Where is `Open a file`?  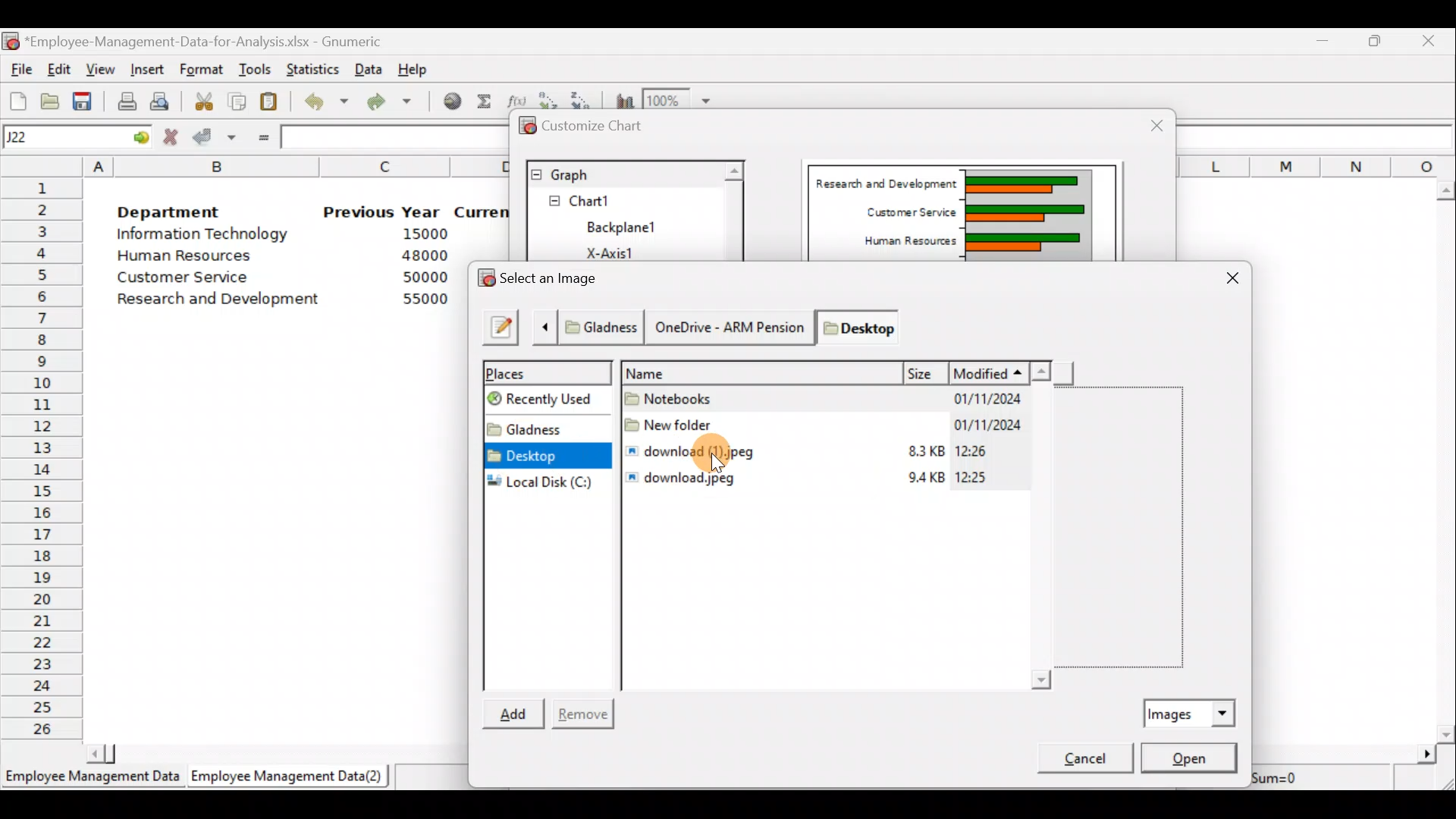
Open a file is located at coordinates (49, 99).